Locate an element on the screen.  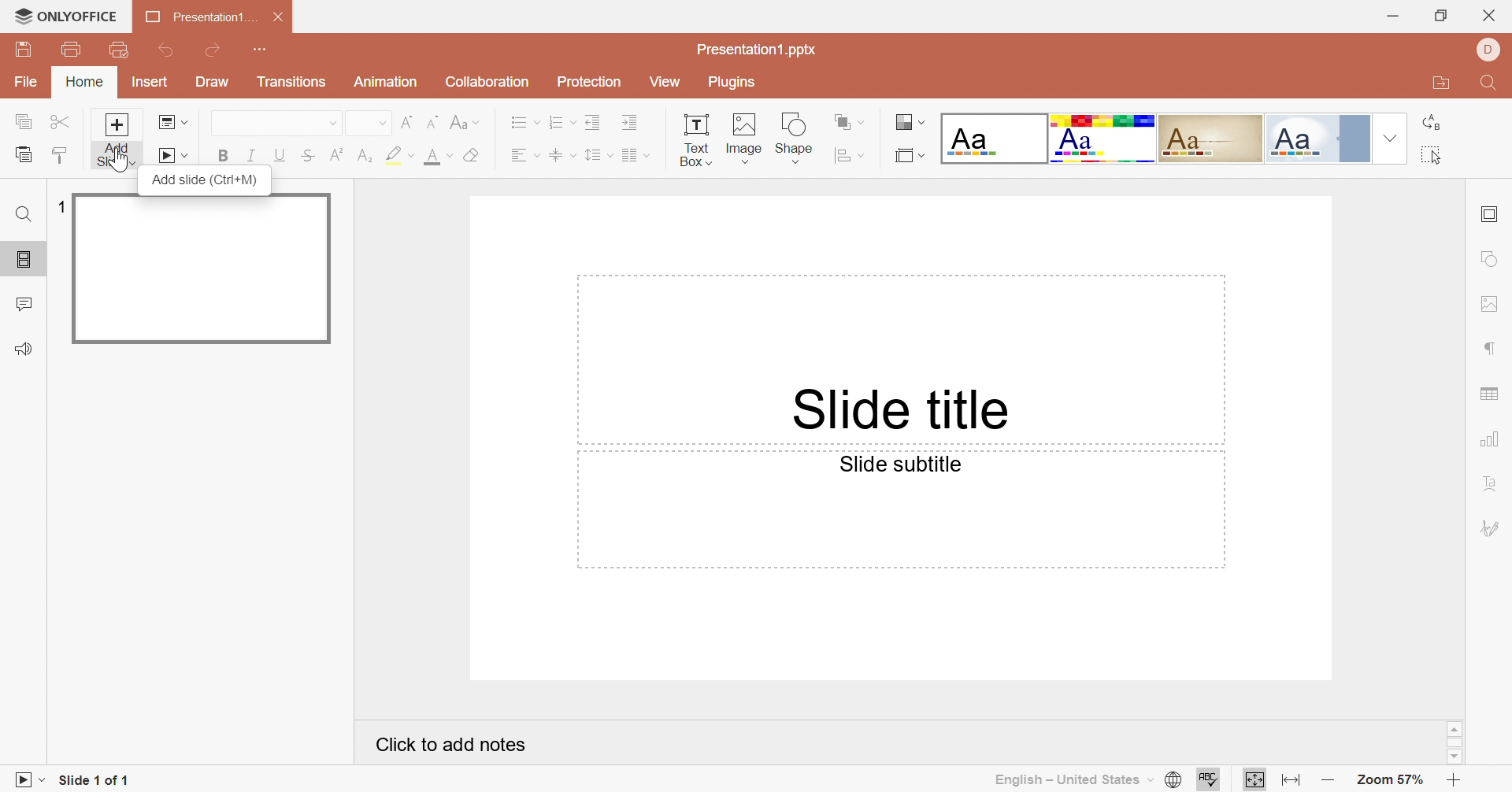
vertical align is located at coordinates (563, 154).